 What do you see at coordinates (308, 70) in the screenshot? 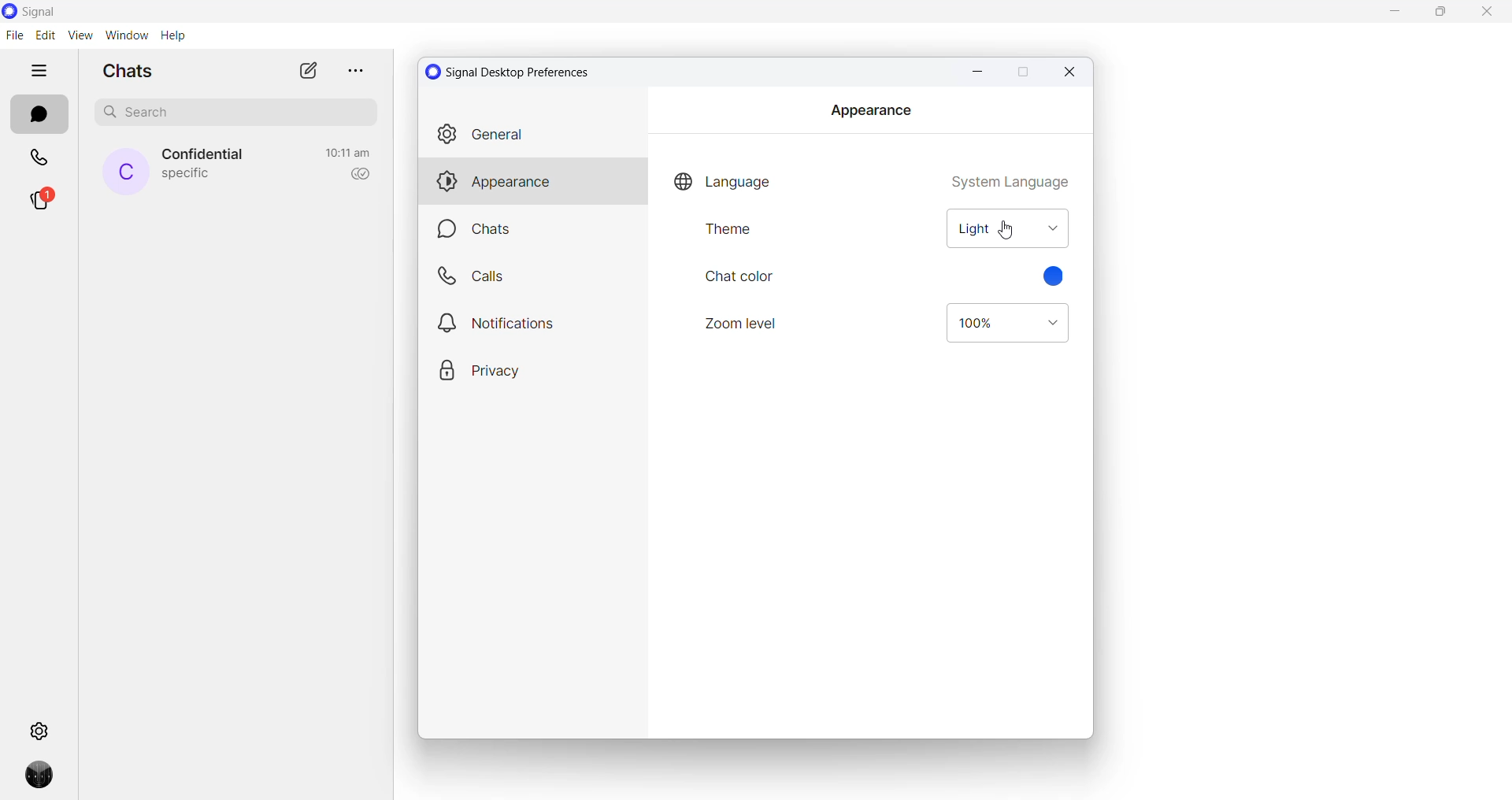
I see `new chat` at bounding box center [308, 70].